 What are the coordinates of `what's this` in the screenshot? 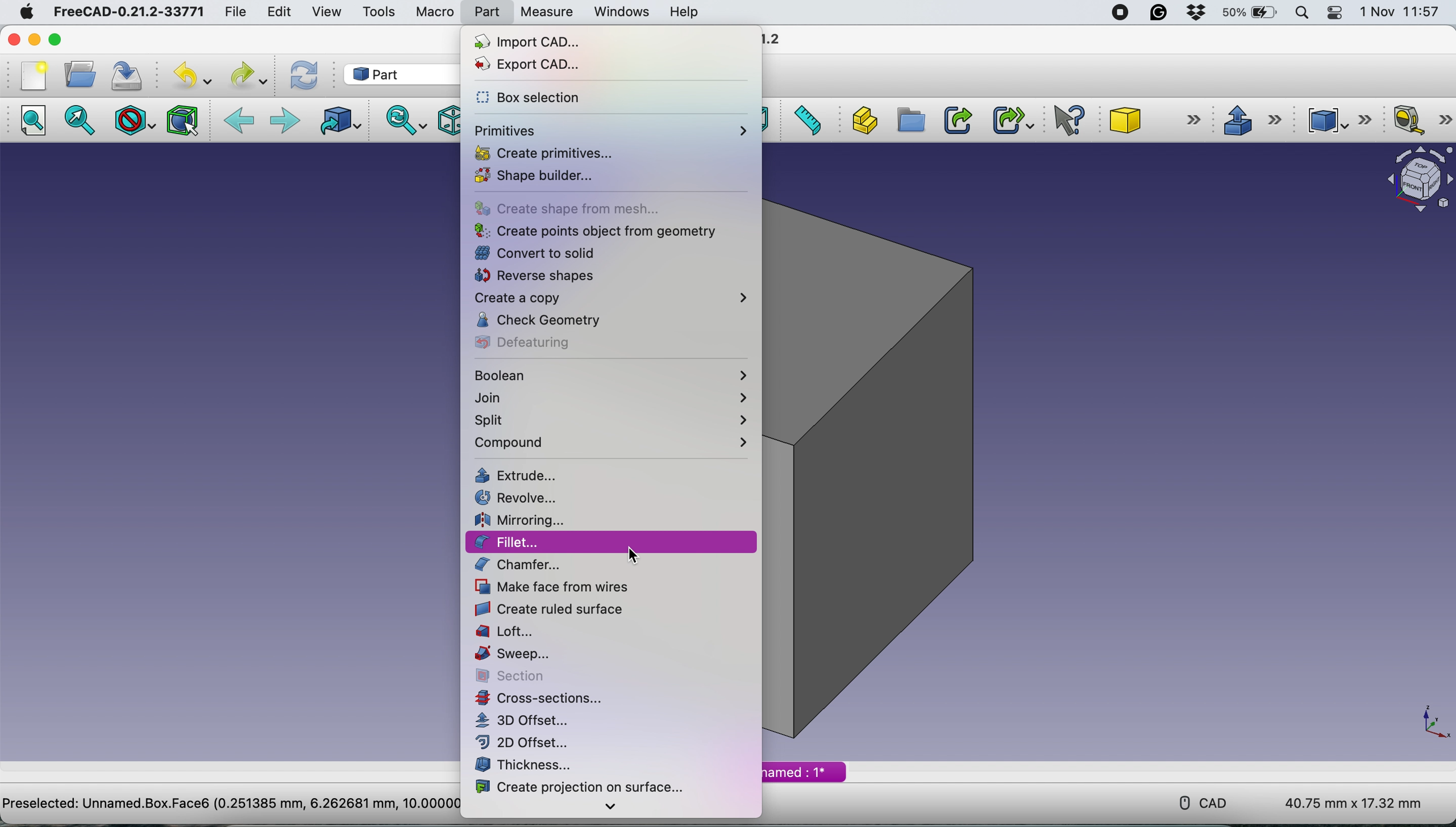 It's located at (1070, 118).